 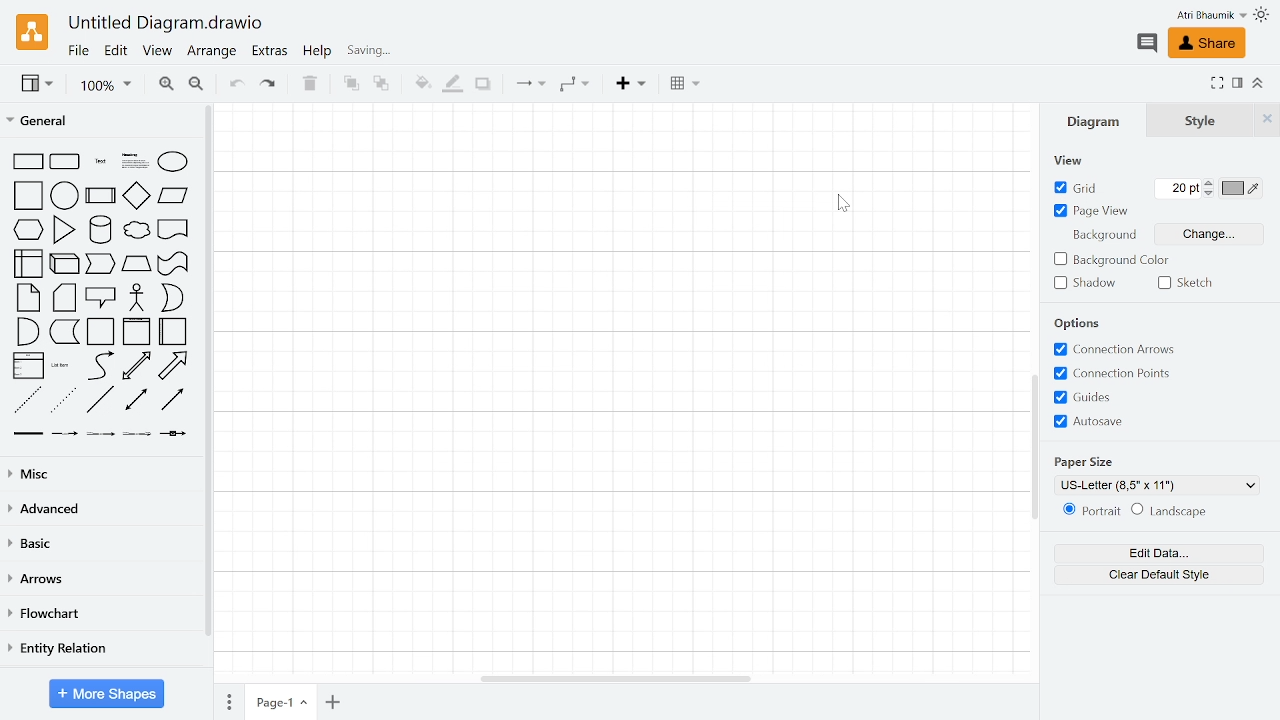 What do you see at coordinates (1082, 187) in the screenshot?
I see `grid` at bounding box center [1082, 187].